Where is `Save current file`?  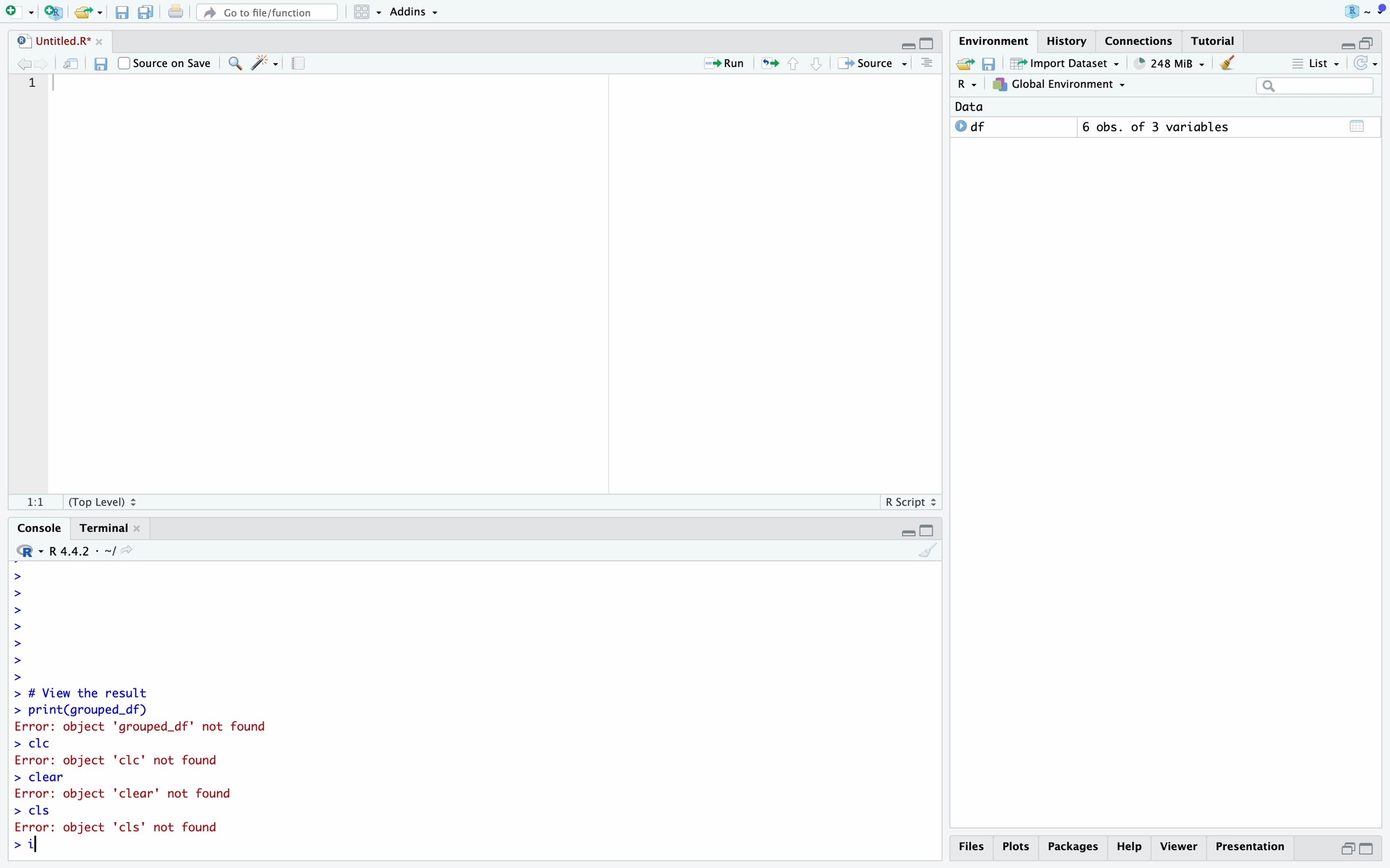 Save current file is located at coordinates (123, 13).